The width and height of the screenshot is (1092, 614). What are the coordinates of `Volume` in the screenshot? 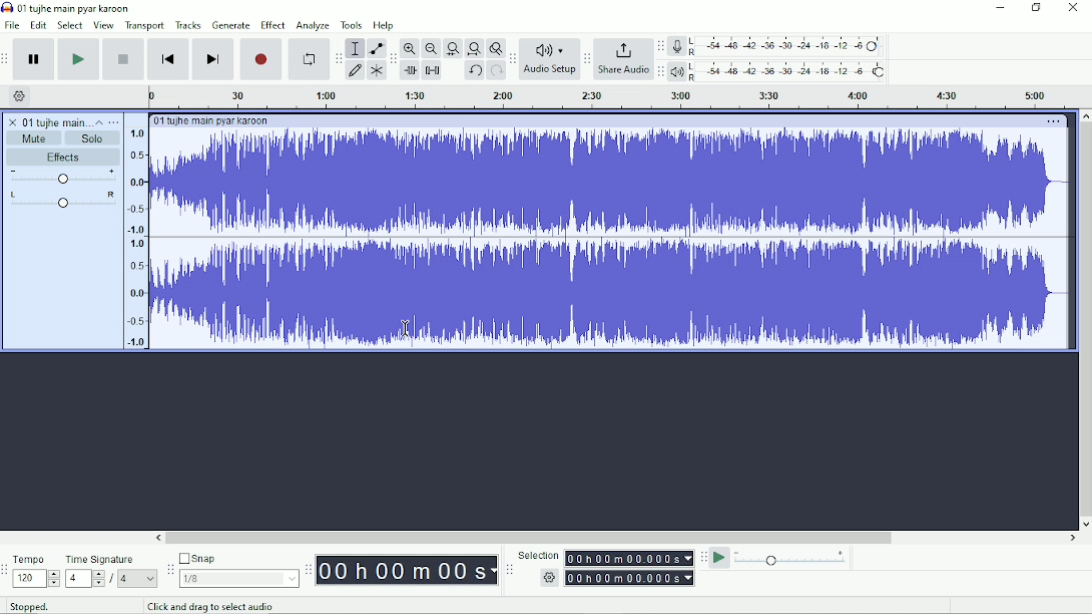 It's located at (62, 177).